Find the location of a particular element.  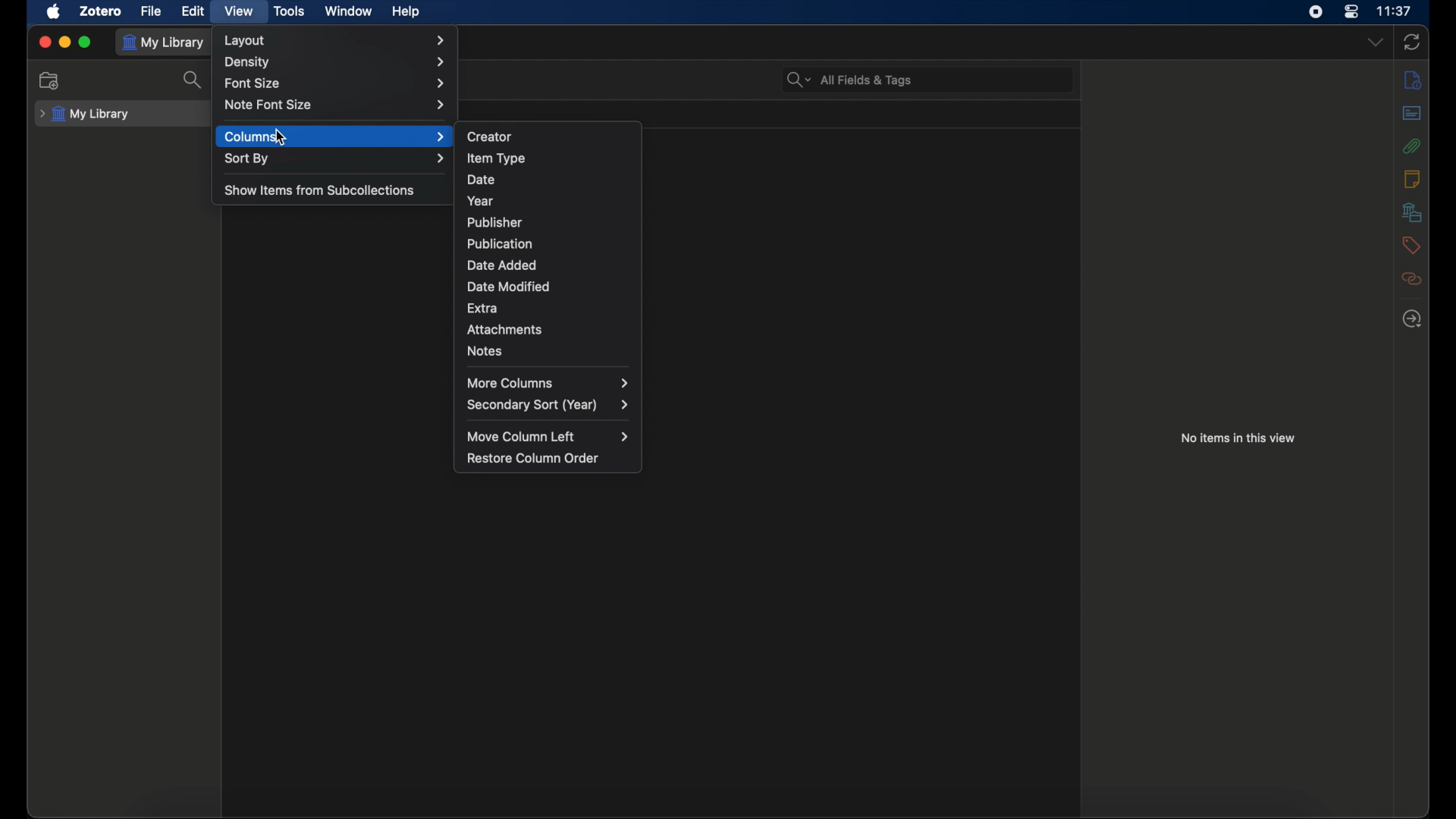

tags is located at coordinates (1411, 245).